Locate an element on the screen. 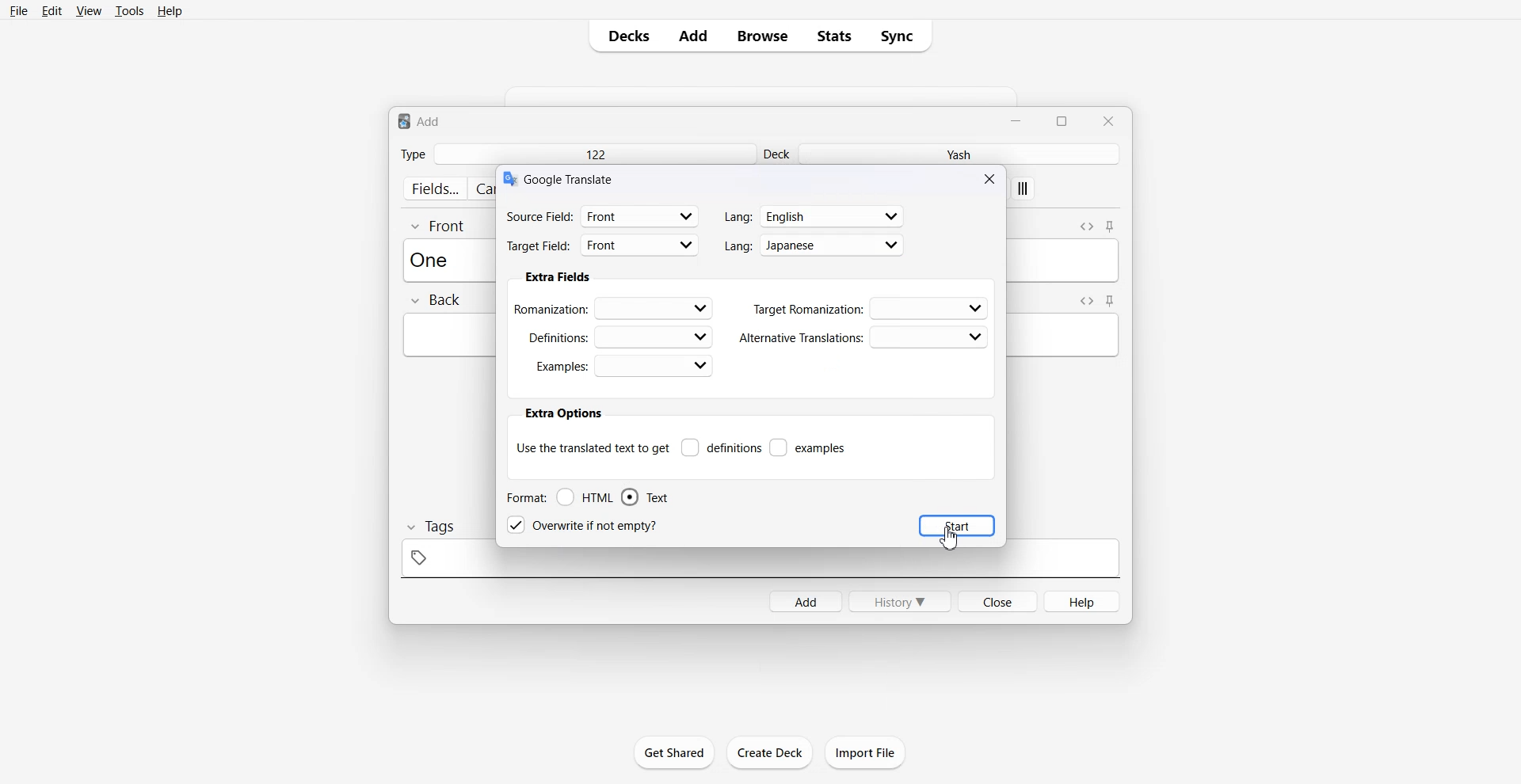  Get Shared is located at coordinates (675, 752).